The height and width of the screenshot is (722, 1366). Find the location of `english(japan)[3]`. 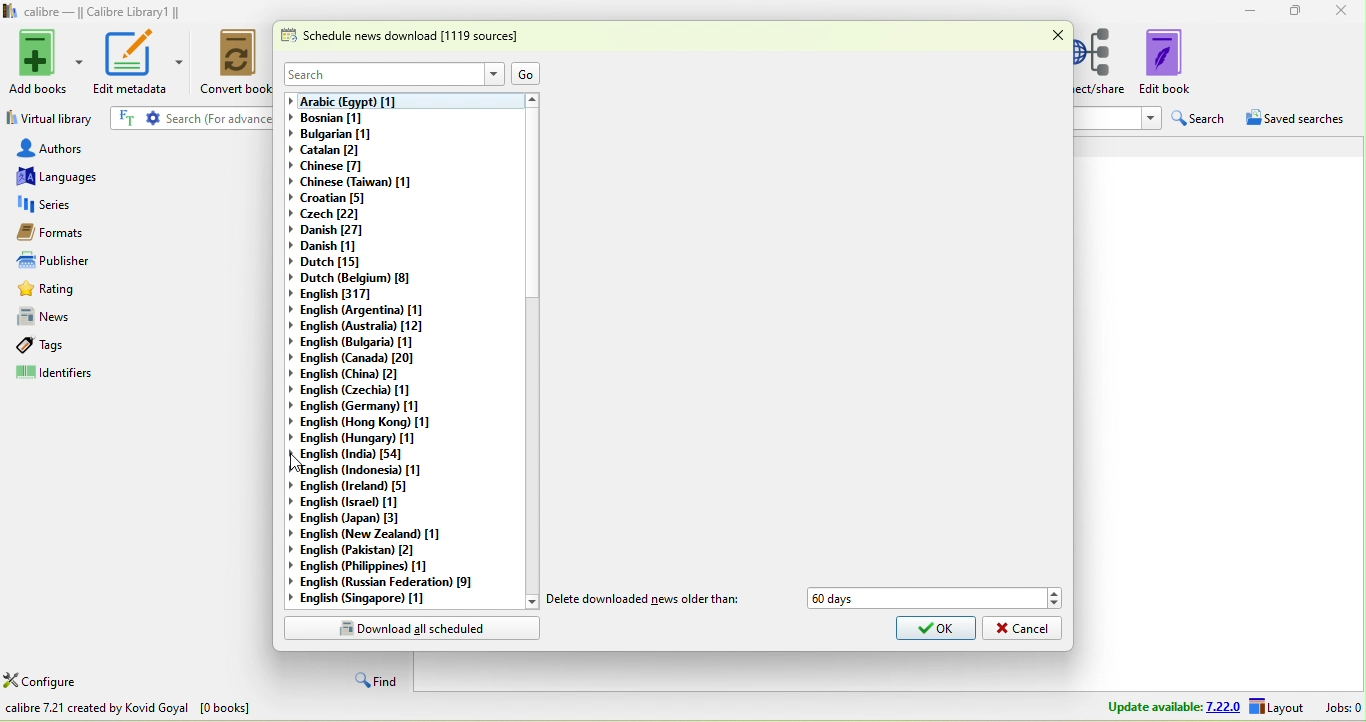

english(japan)[3] is located at coordinates (363, 518).